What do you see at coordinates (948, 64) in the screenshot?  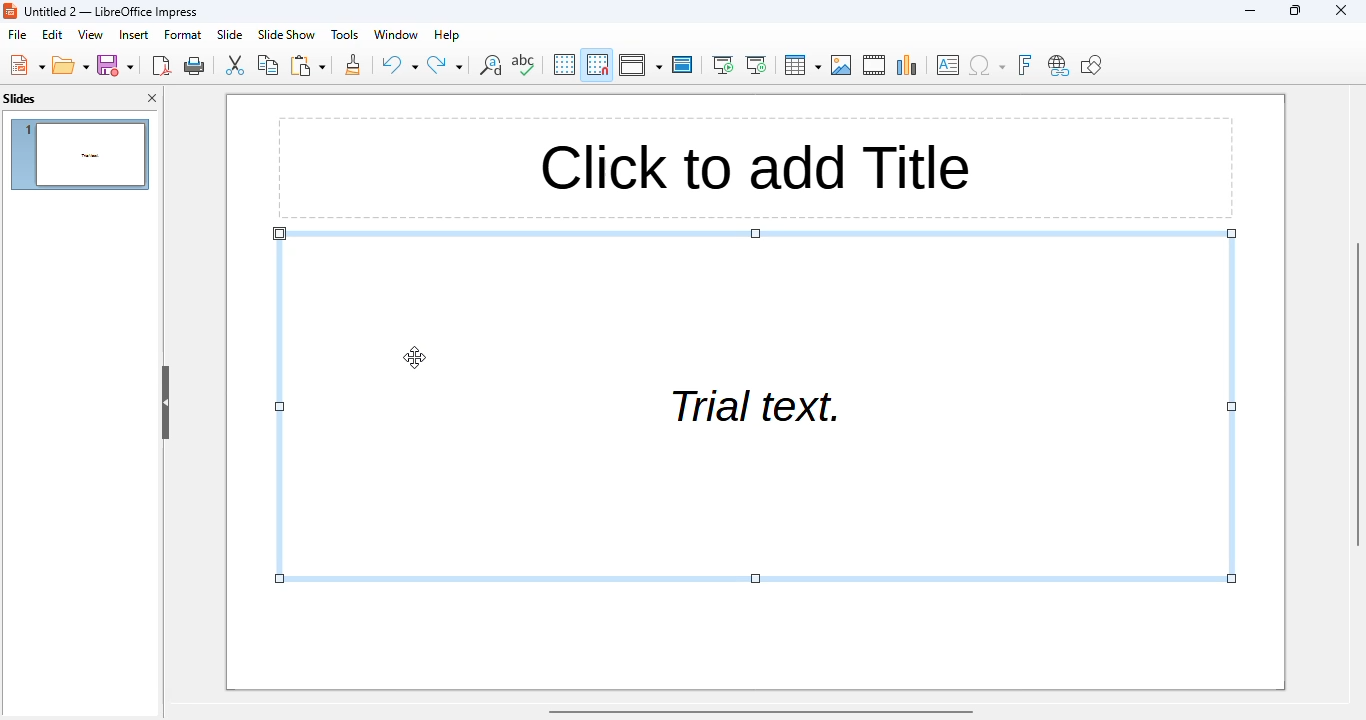 I see `insert text box` at bounding box center [948, 64].